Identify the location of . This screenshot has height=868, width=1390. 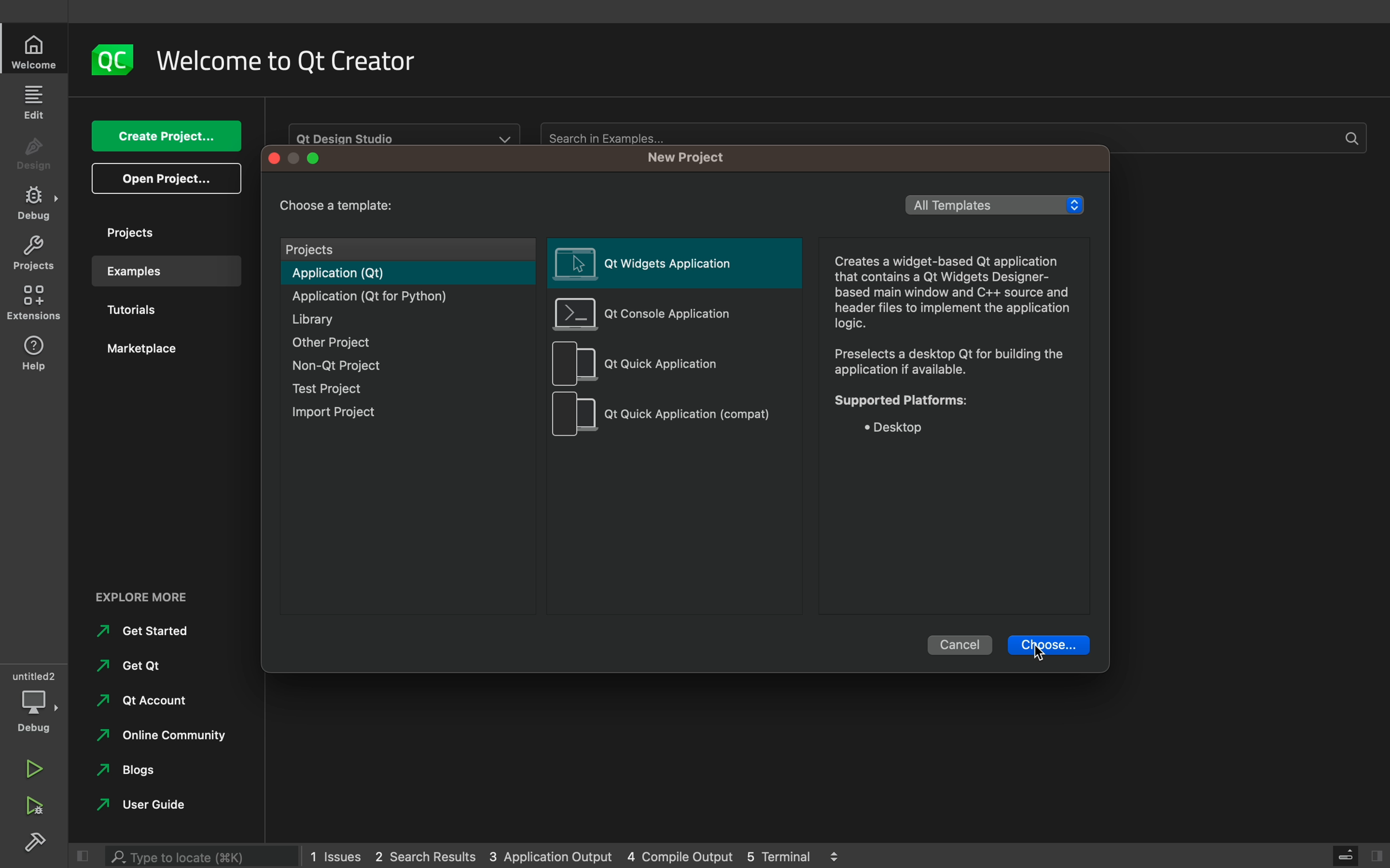
(34, 203).